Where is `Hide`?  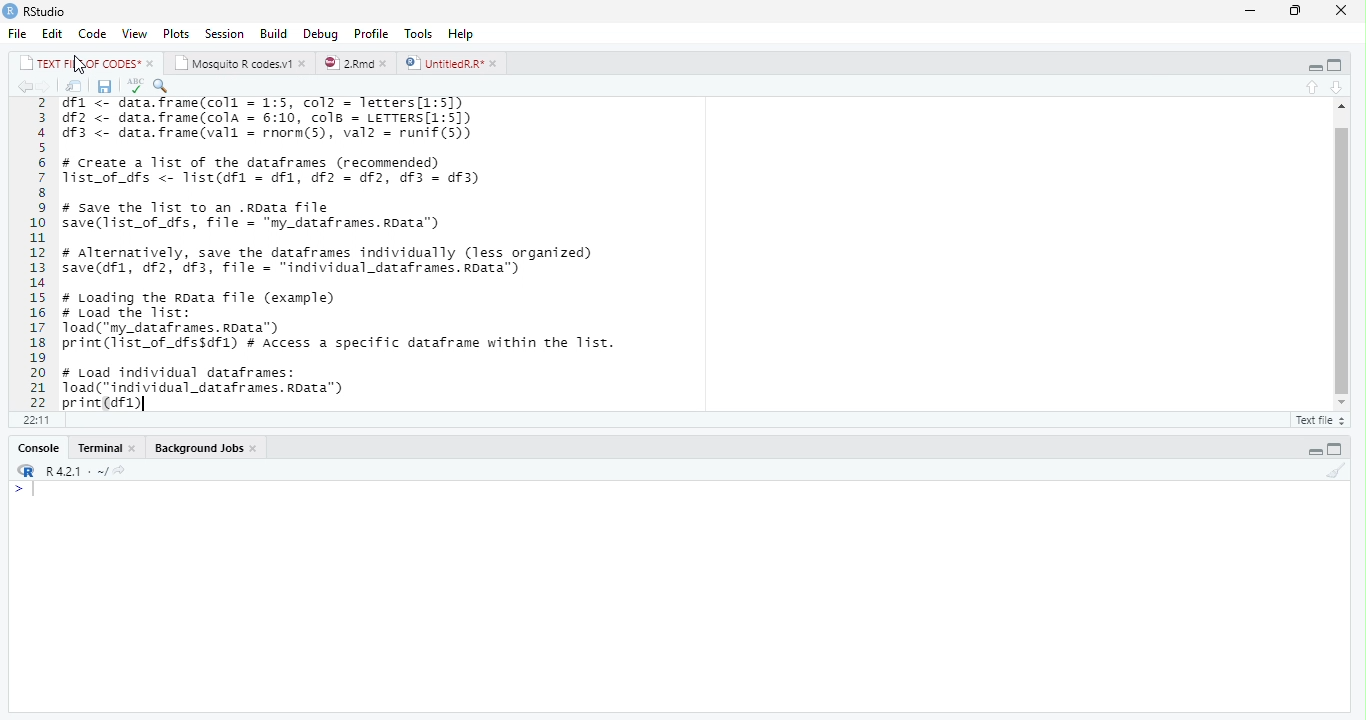
Hide is located at coordinates (1314, 449).